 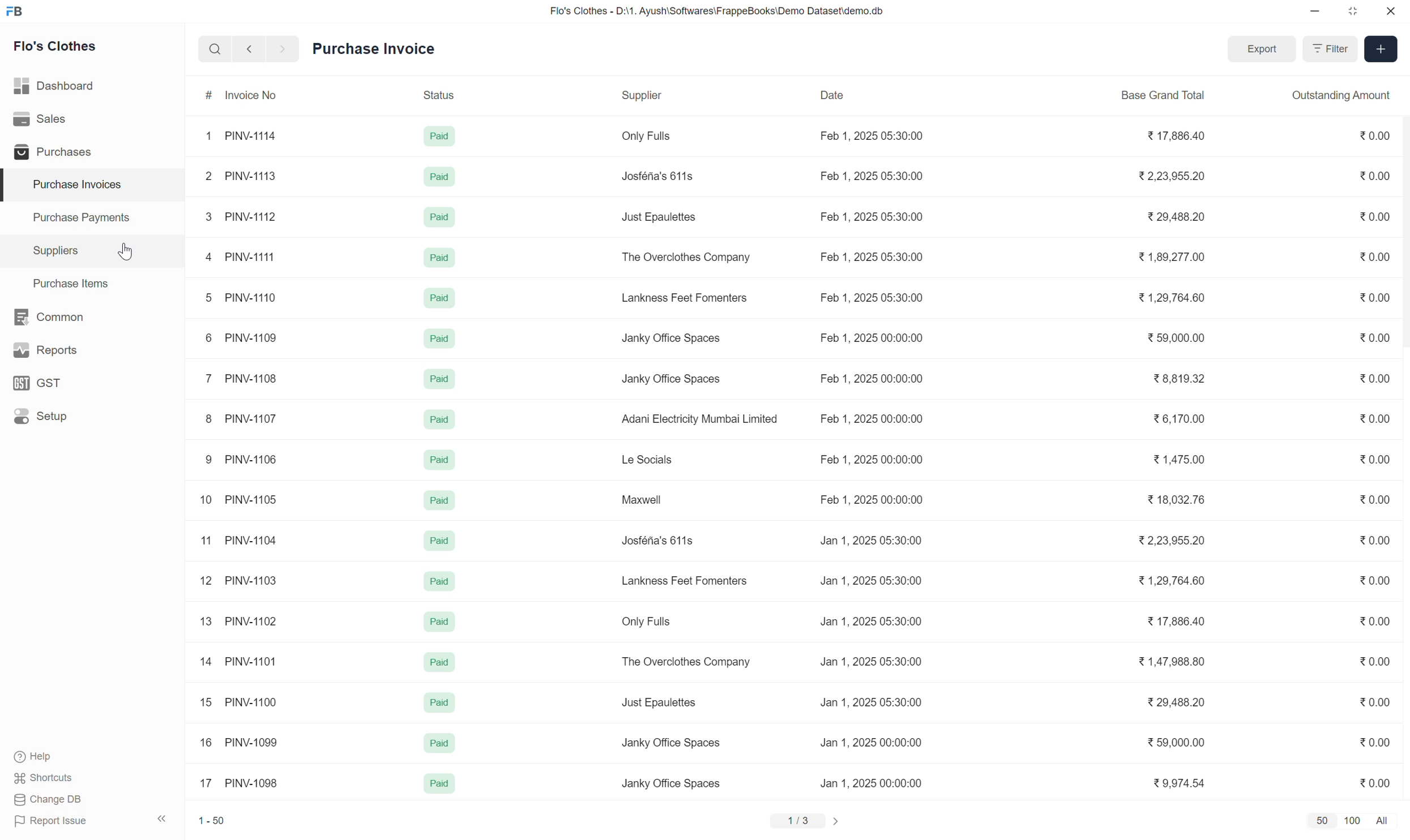 What do you see at coordinates (659, 217) in the screenshot?
I see `Just Epaulettes` at bounding box center [659, 217].